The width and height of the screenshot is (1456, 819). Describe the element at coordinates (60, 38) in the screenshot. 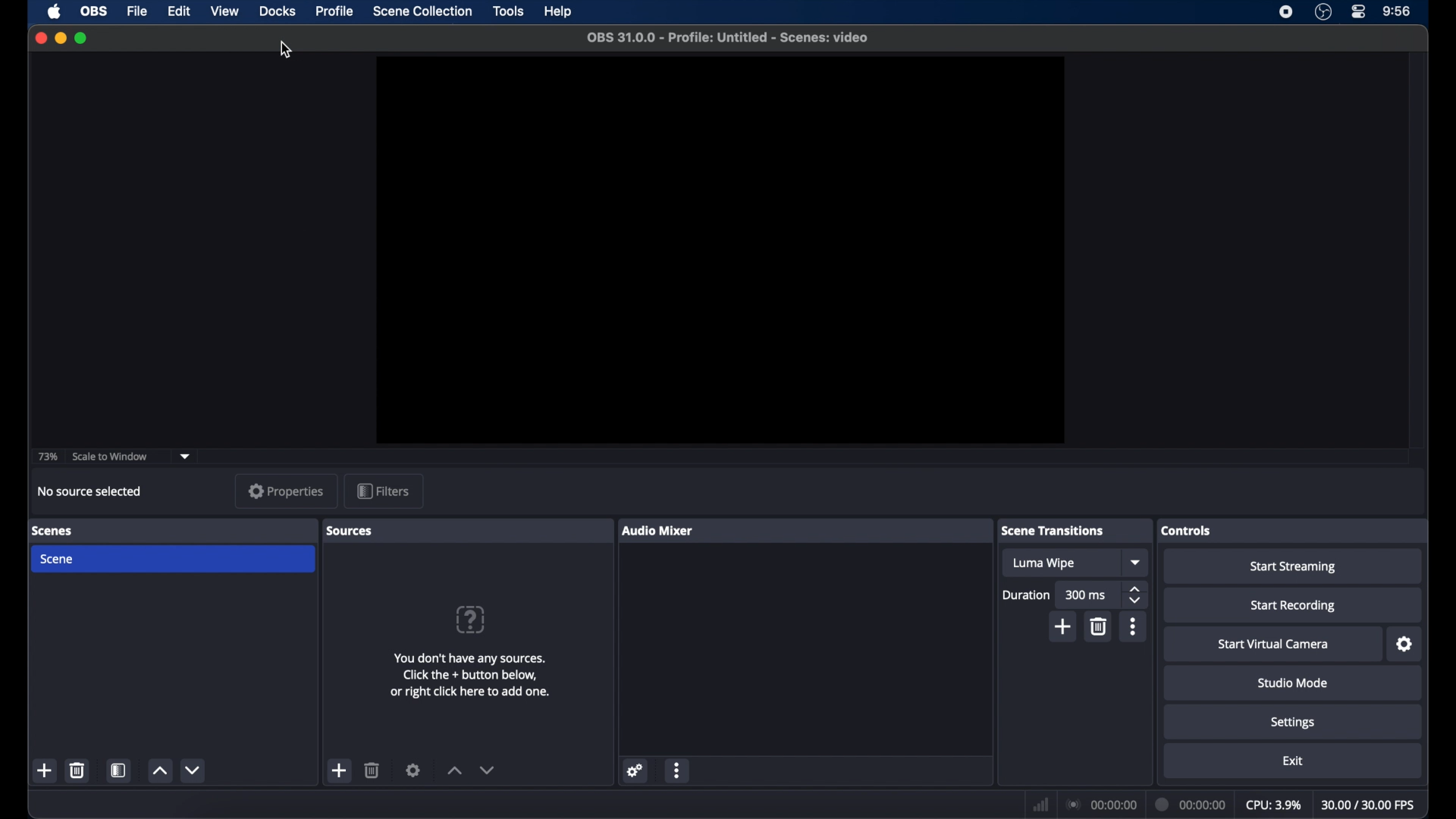

I see `minimize` at that location.